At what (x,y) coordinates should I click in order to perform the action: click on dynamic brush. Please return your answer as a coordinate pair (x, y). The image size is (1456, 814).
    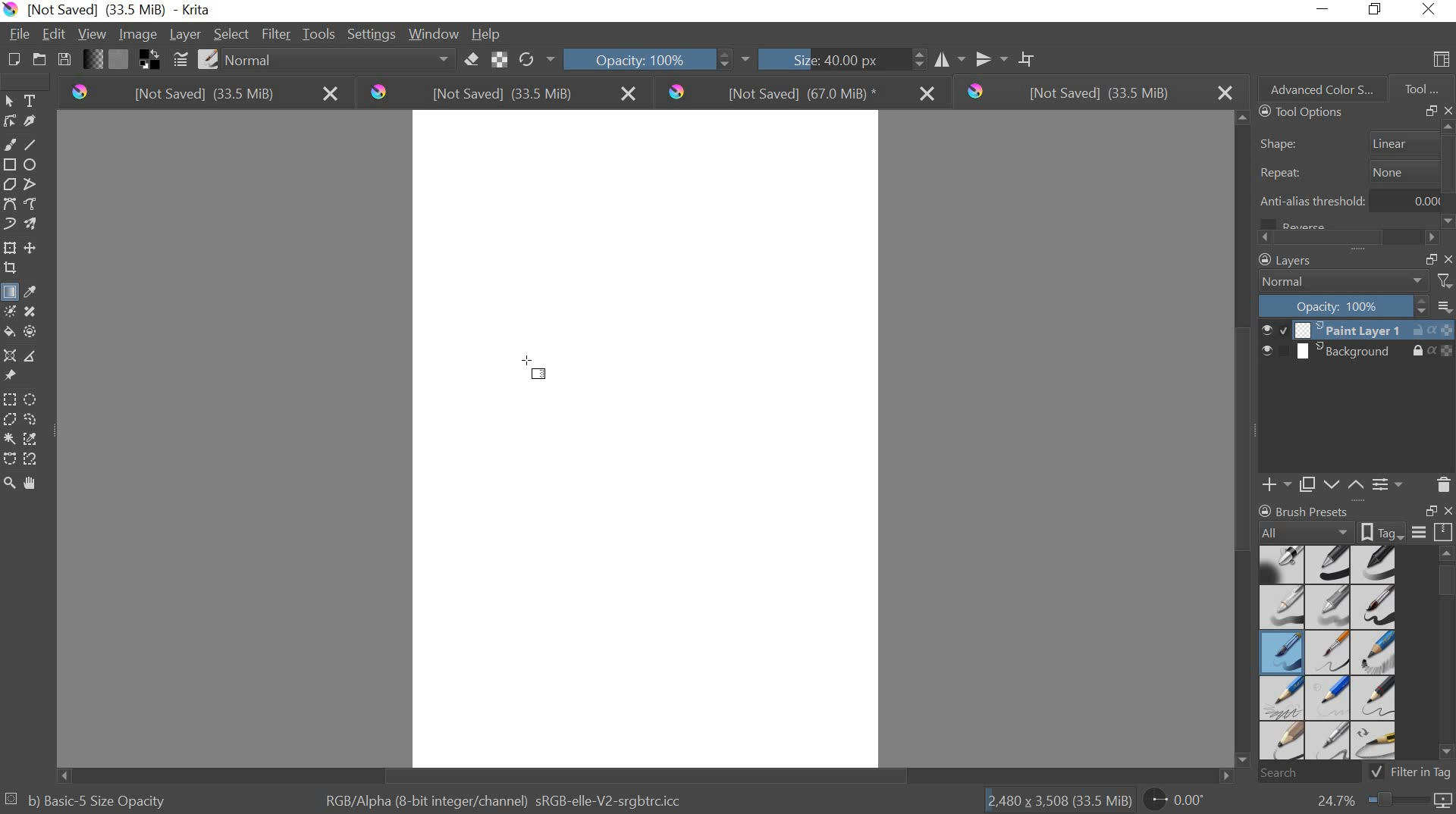
    Looking at the image, I should click on (9, 223).